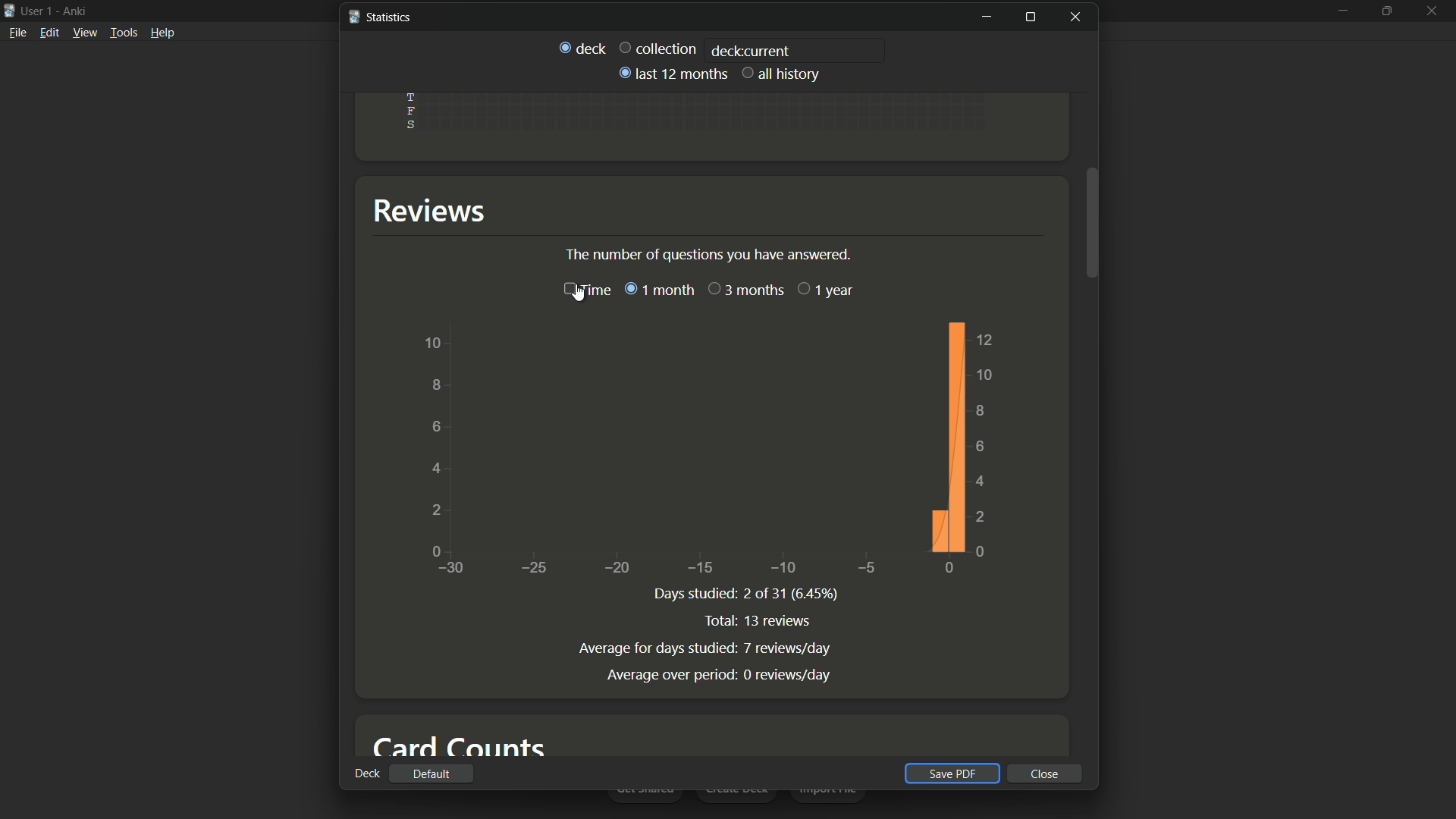  Describe the element at coordinates (18, 32) in the screenshot. I see `file menu` at that location.